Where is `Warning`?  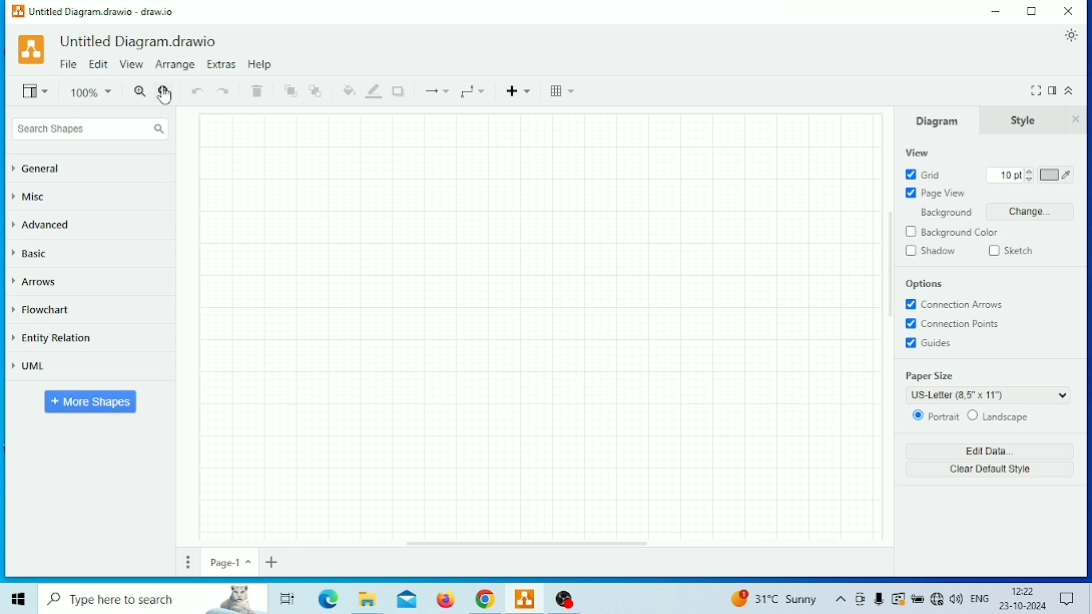
Warning is located at coordinates (898, 599).